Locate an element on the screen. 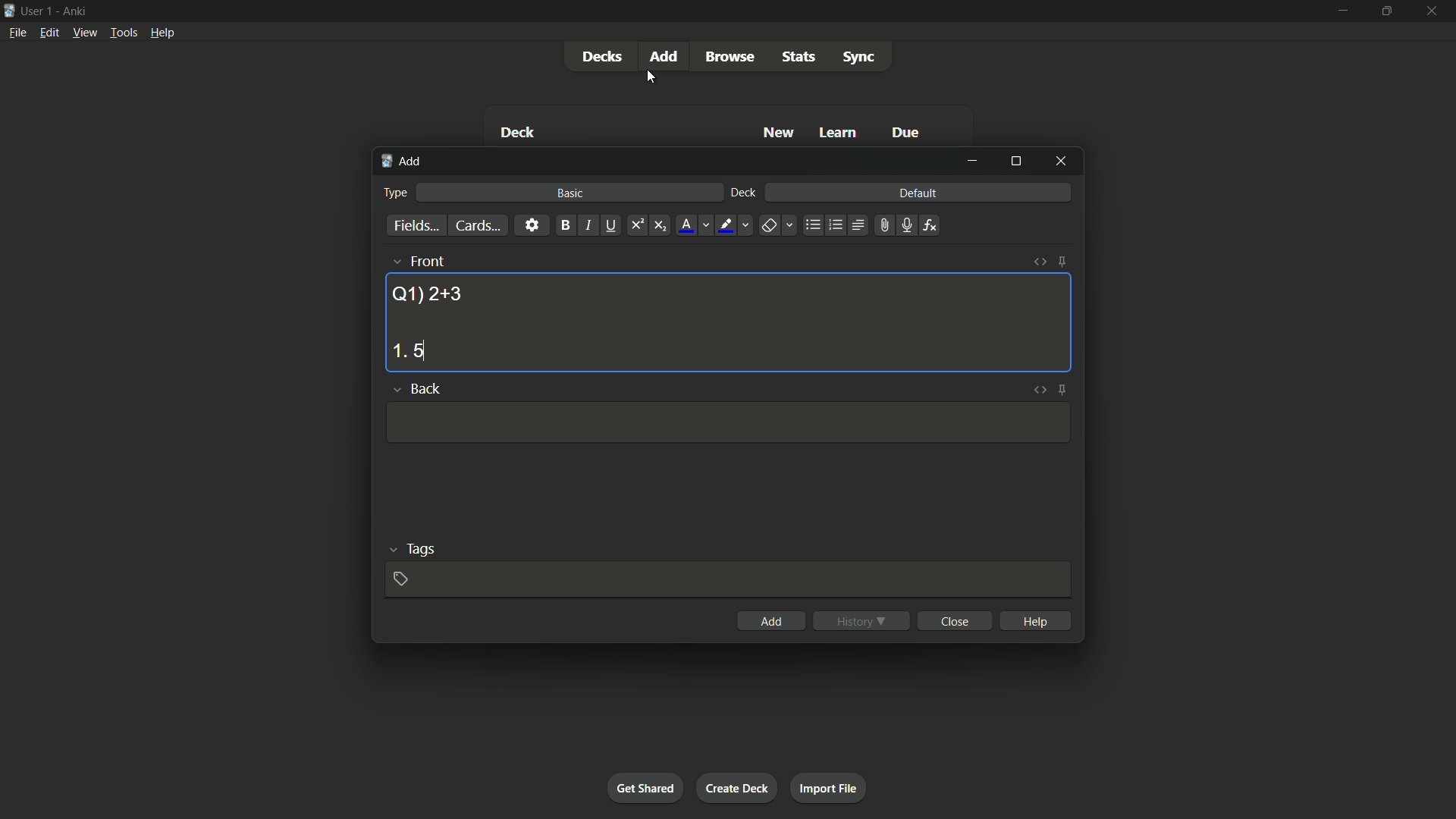  decks is located at coordinates (601, 57).